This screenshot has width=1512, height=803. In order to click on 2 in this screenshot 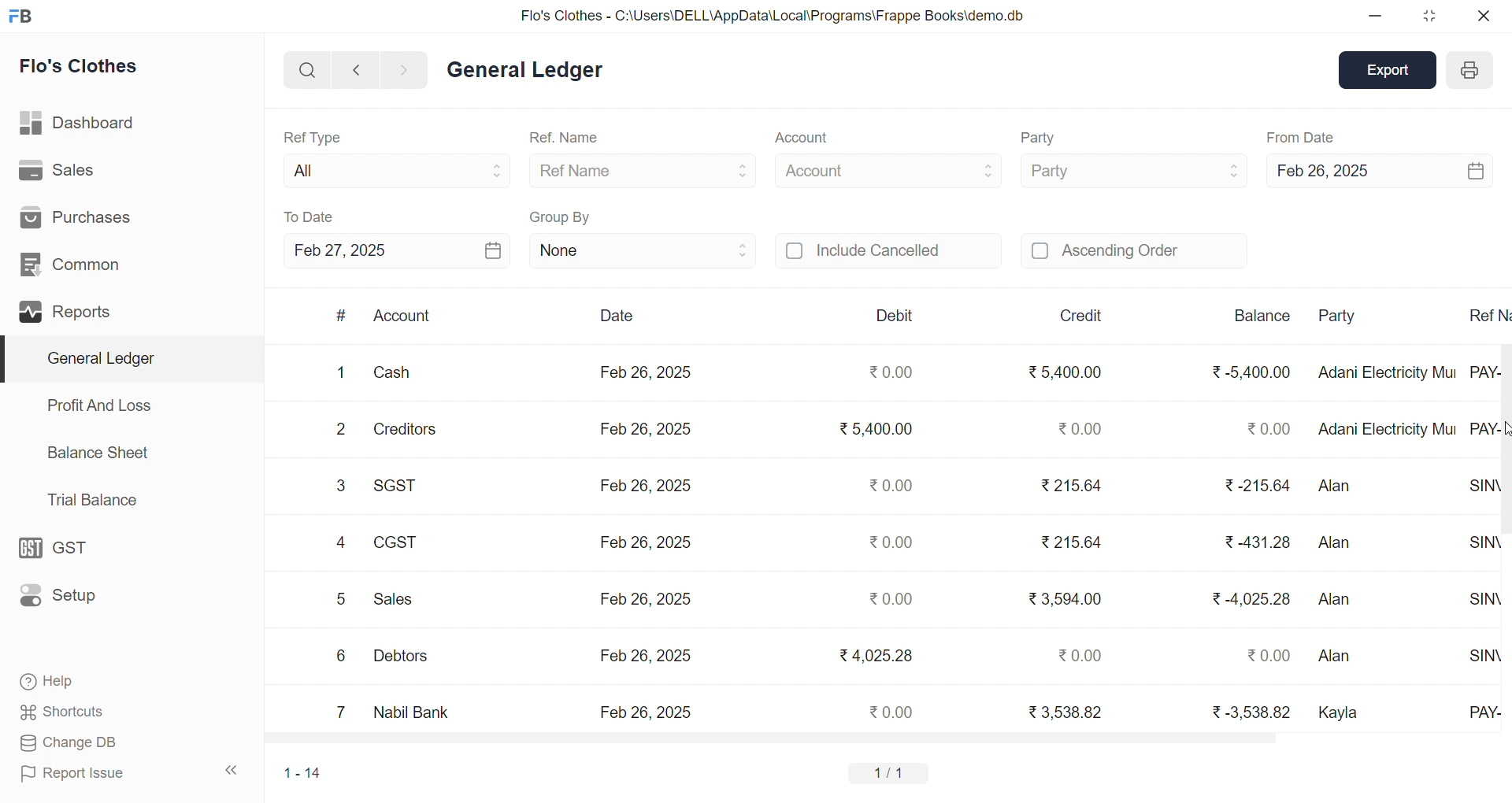, I will do `click(341, 428)`.